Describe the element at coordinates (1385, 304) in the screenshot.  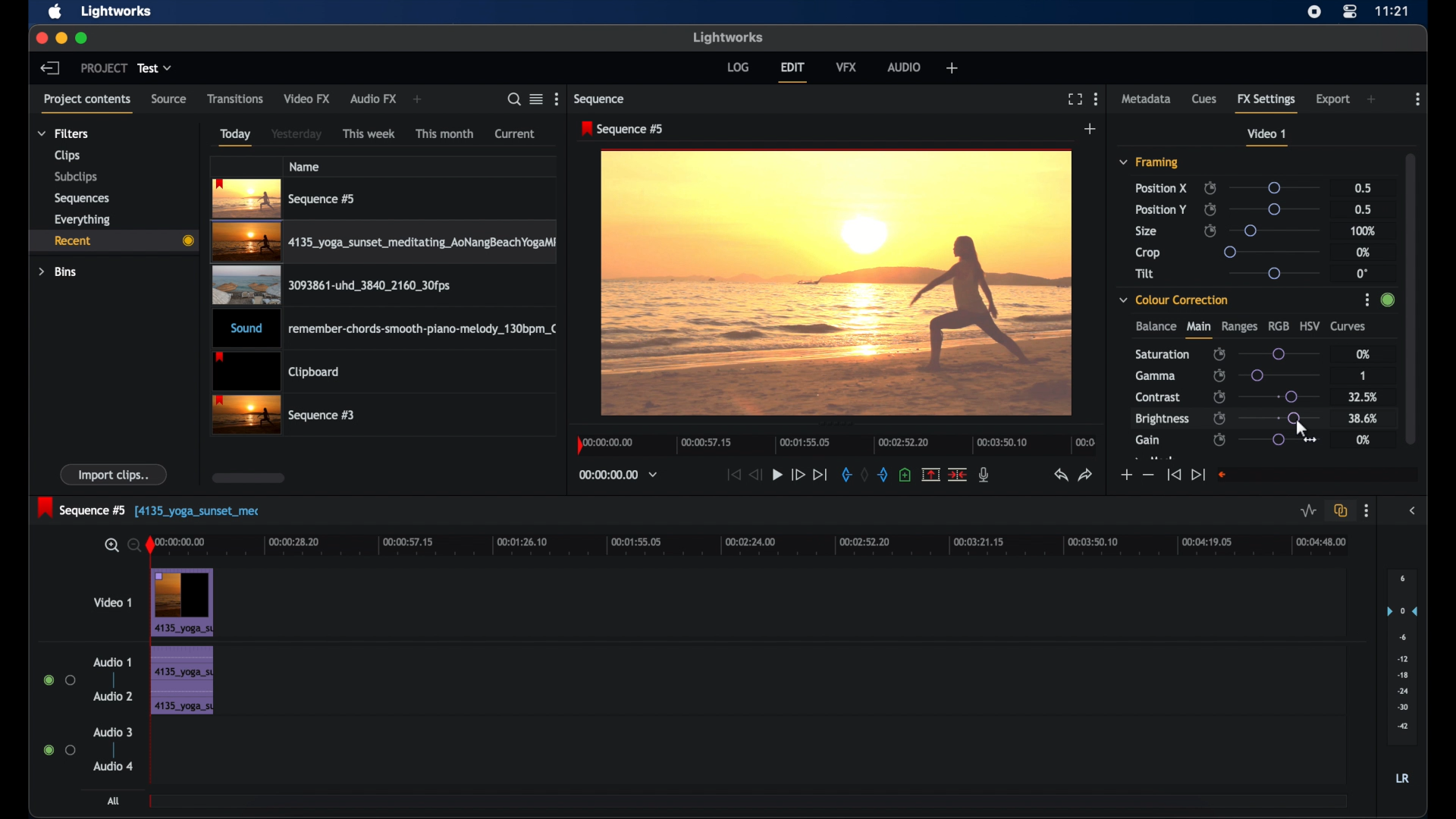
I see `slider change` at that location.